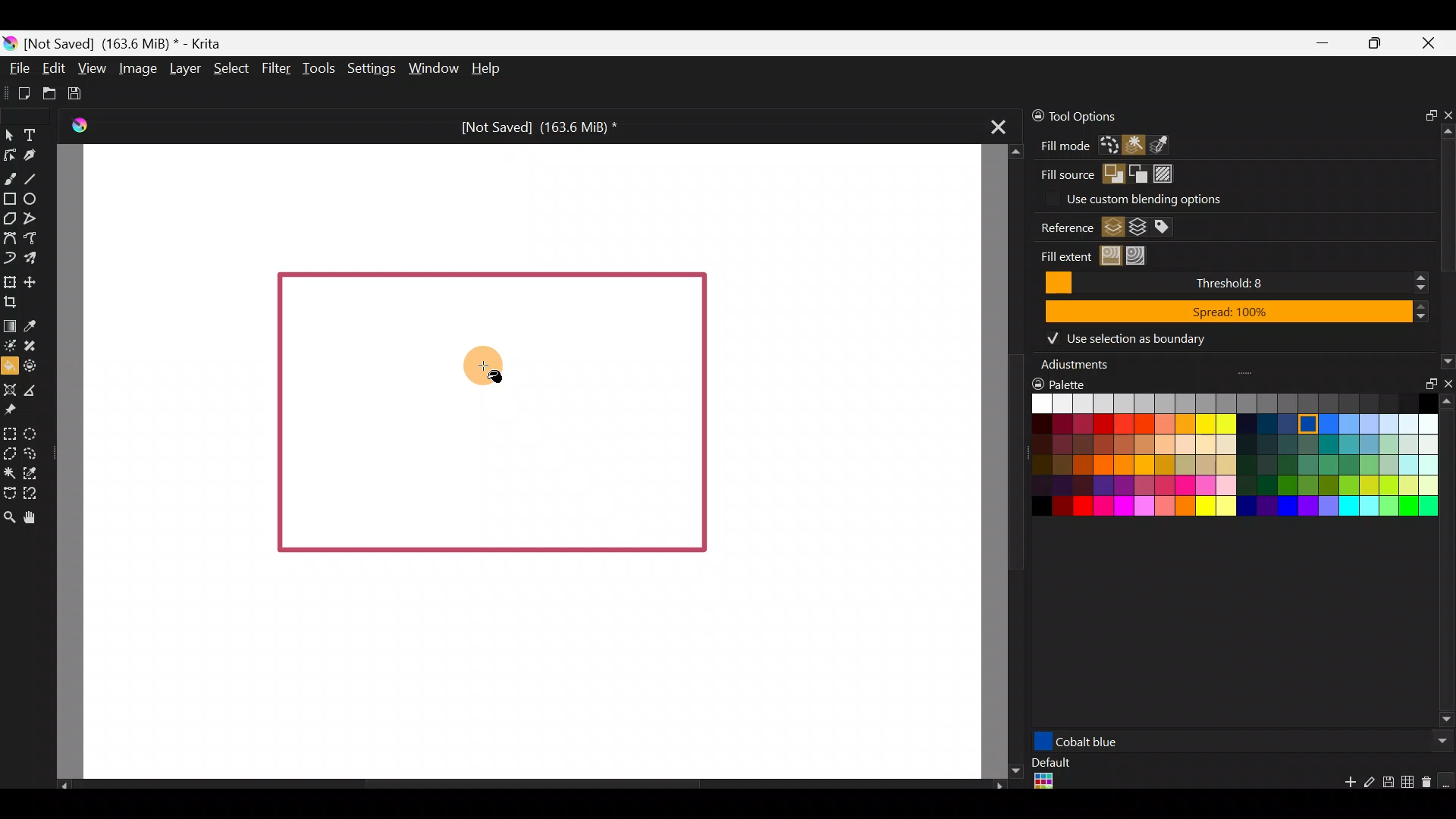 The height and width of the screenshot is (819, 1456). I want to click on Close docker, so click(1446, 111).